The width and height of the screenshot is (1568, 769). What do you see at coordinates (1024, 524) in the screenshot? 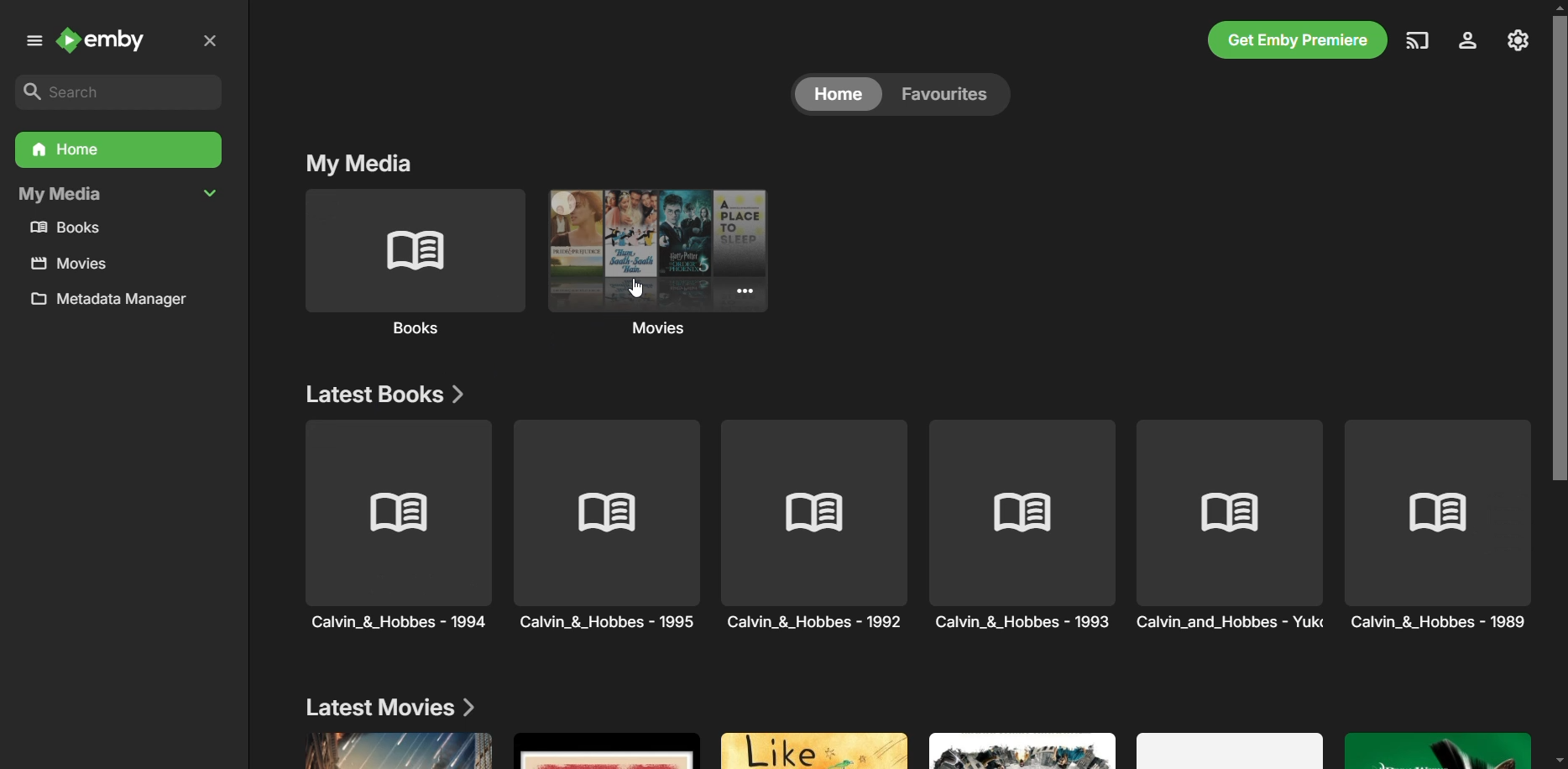
I see `` at bounding box center [1024, 524].